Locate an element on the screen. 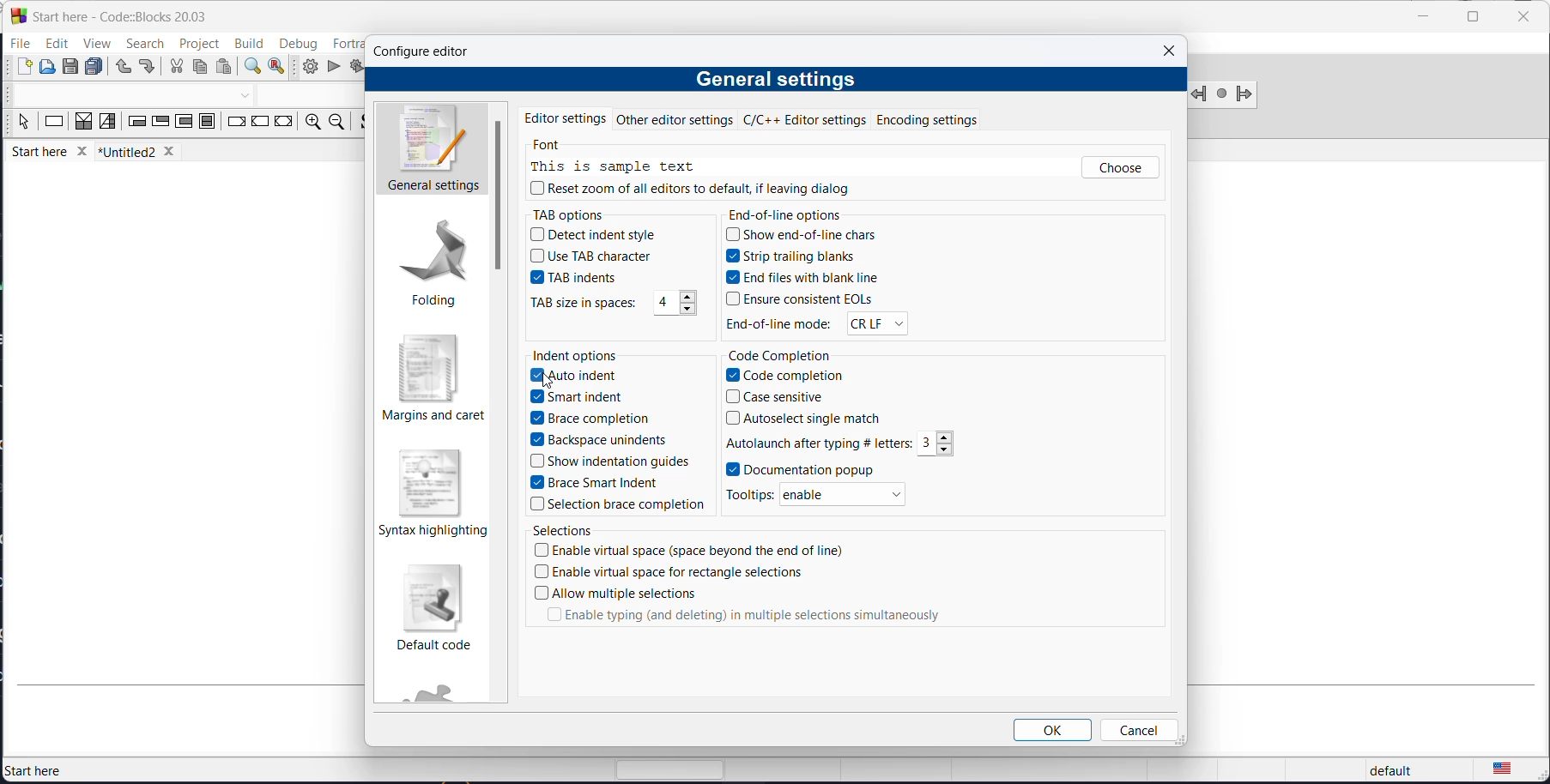 The image size is (1550, 784). view is located at coordinates (94, 45).